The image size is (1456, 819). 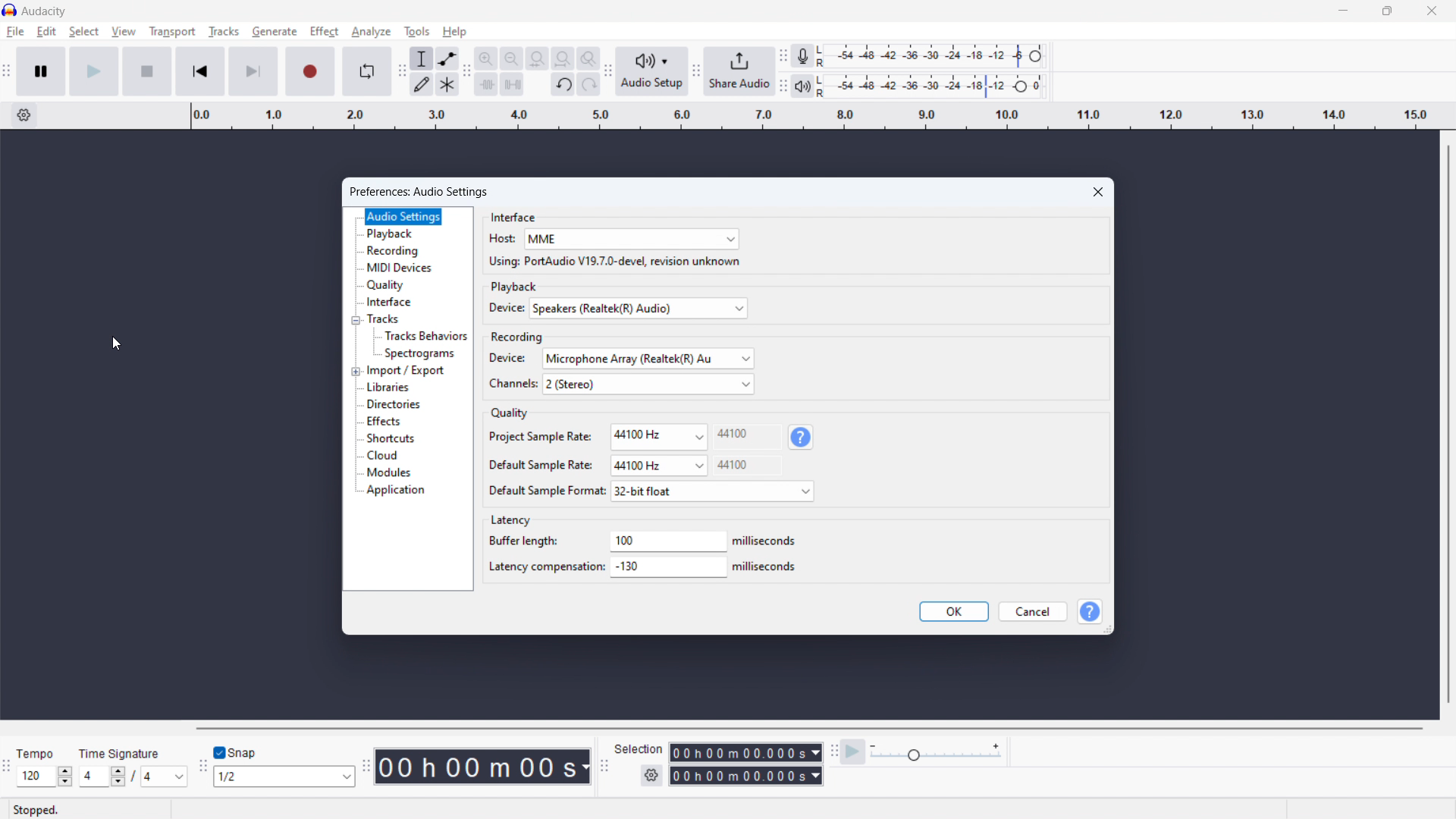 I want to click on recording meter, so click(x=802, y=55).